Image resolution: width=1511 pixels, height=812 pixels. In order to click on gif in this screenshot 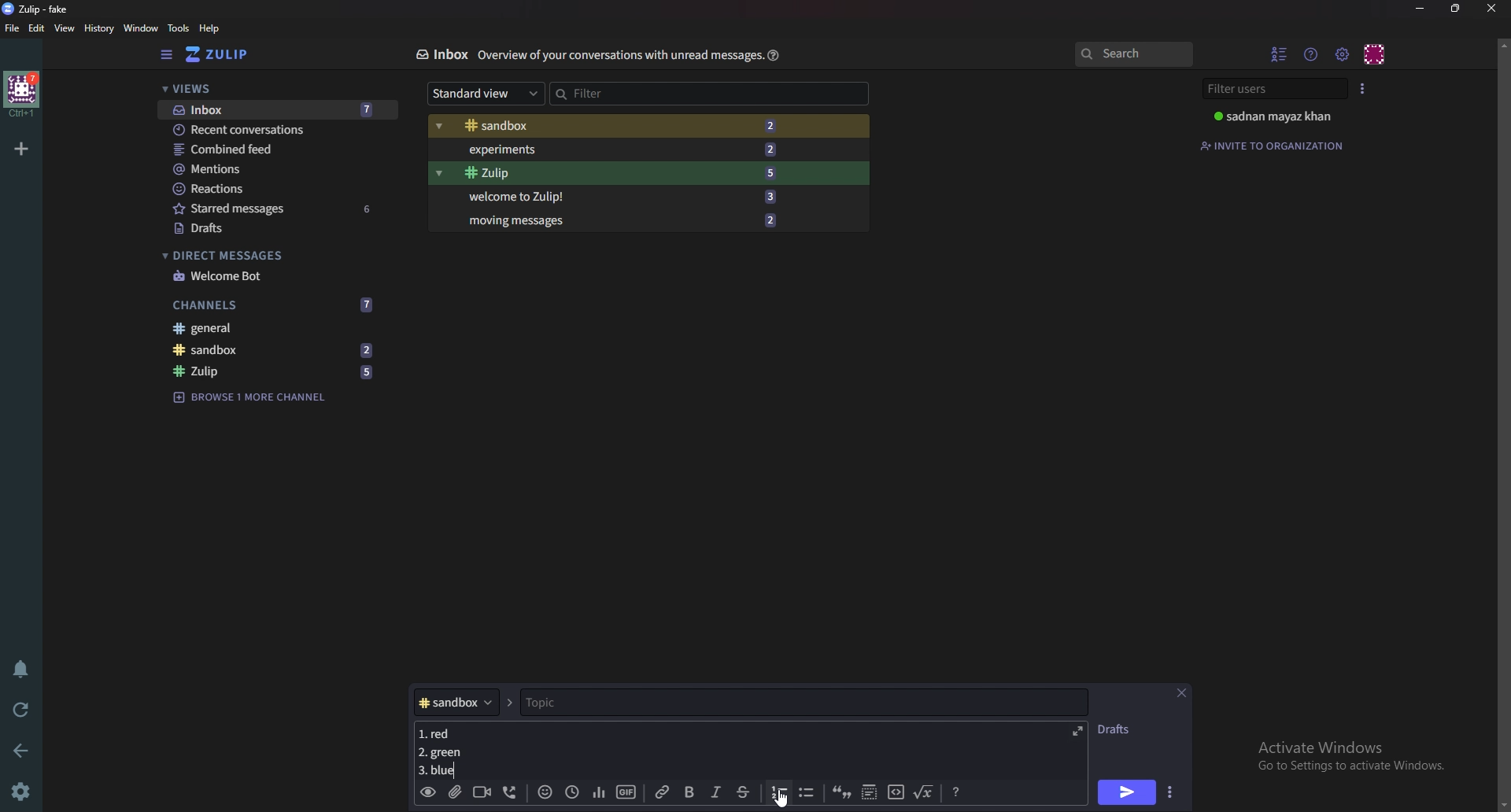, I will do `click(625, 790)`.